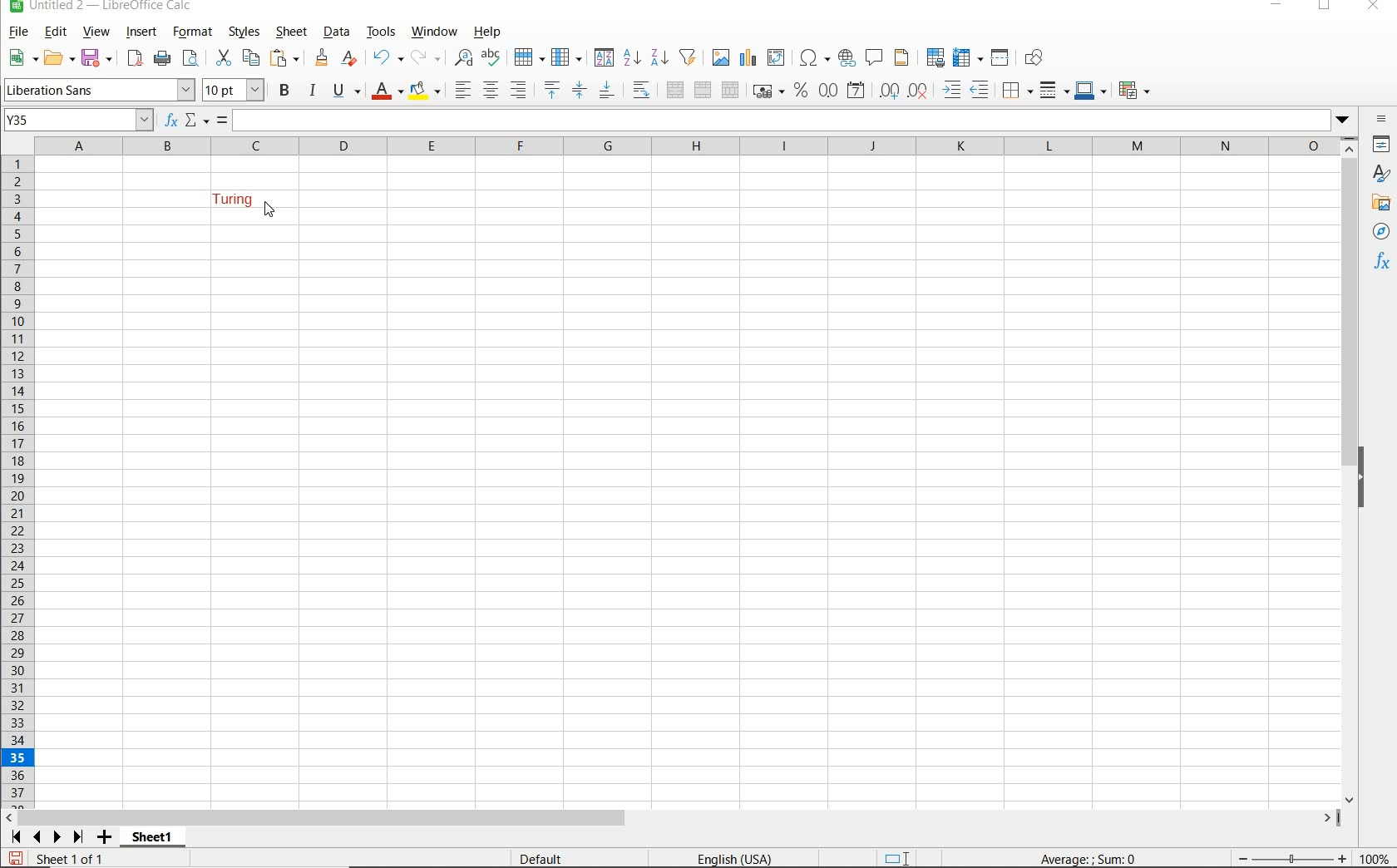 Image resolution: width=1397 pixels, height=868 pixels. What do you see at coordinates (1000, 60) in the screenshot?
I see `SPLIT WINDOW` at bounding box center [1000, 60].